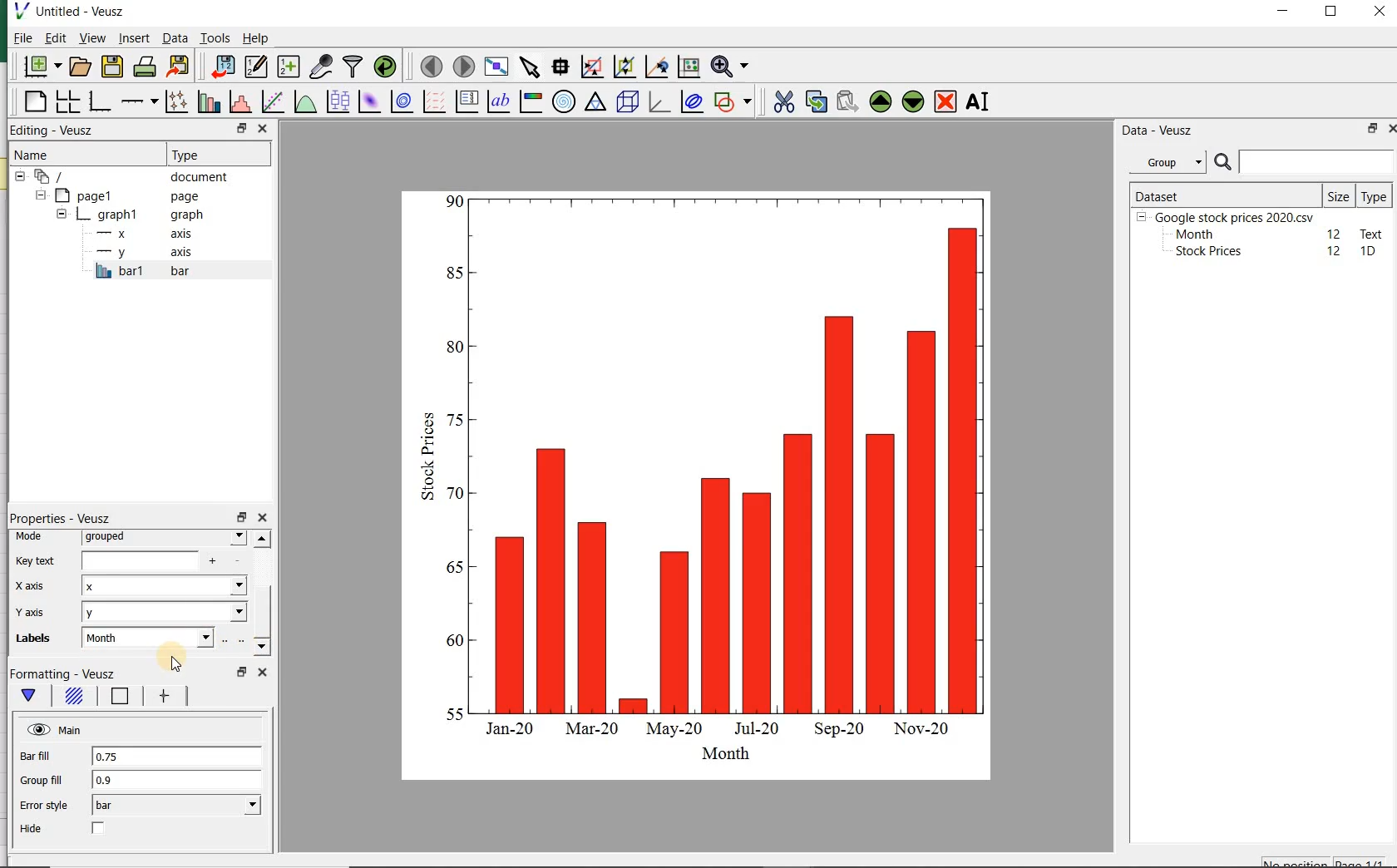  I want to click on ternary graph, so click(595, 103).